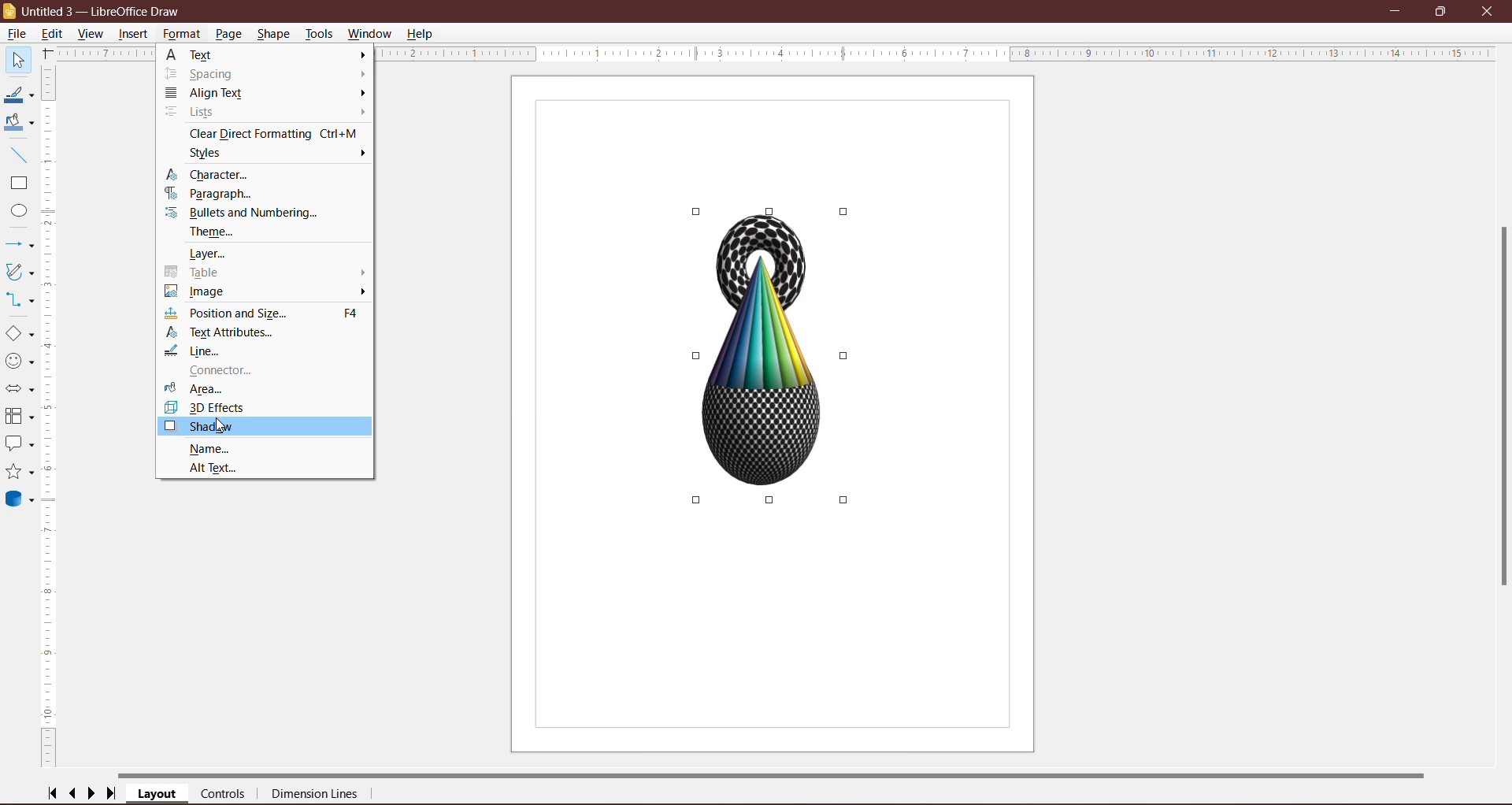 Image resolution: width=1512 pixels, height=805 pixels. What do you see at coordinates (9, 12) in the screenshot?
I see `Application Logo` at bounding box center [9, 12].